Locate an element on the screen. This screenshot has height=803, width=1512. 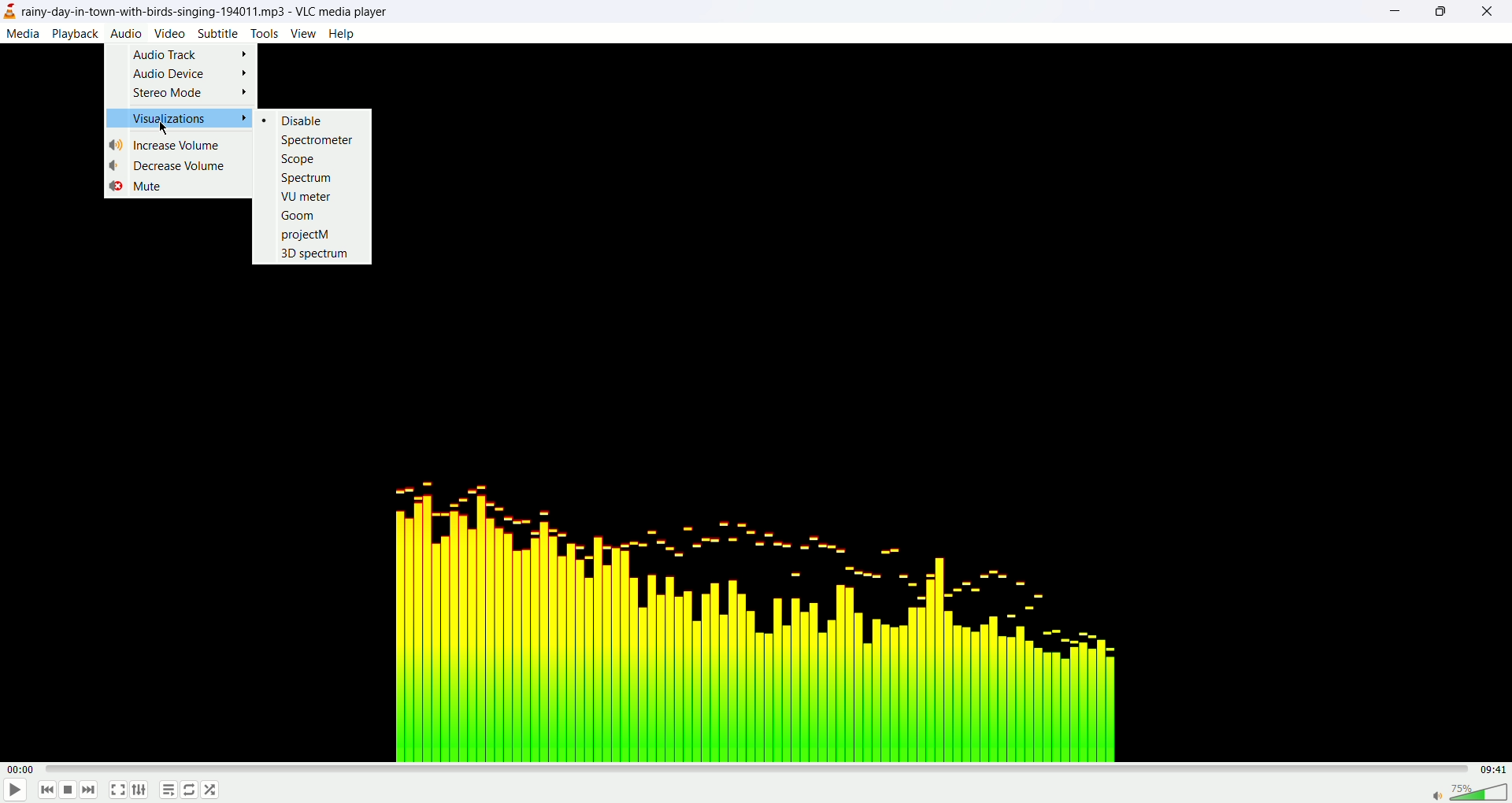
play/pause is located at coordinates (15, 791).